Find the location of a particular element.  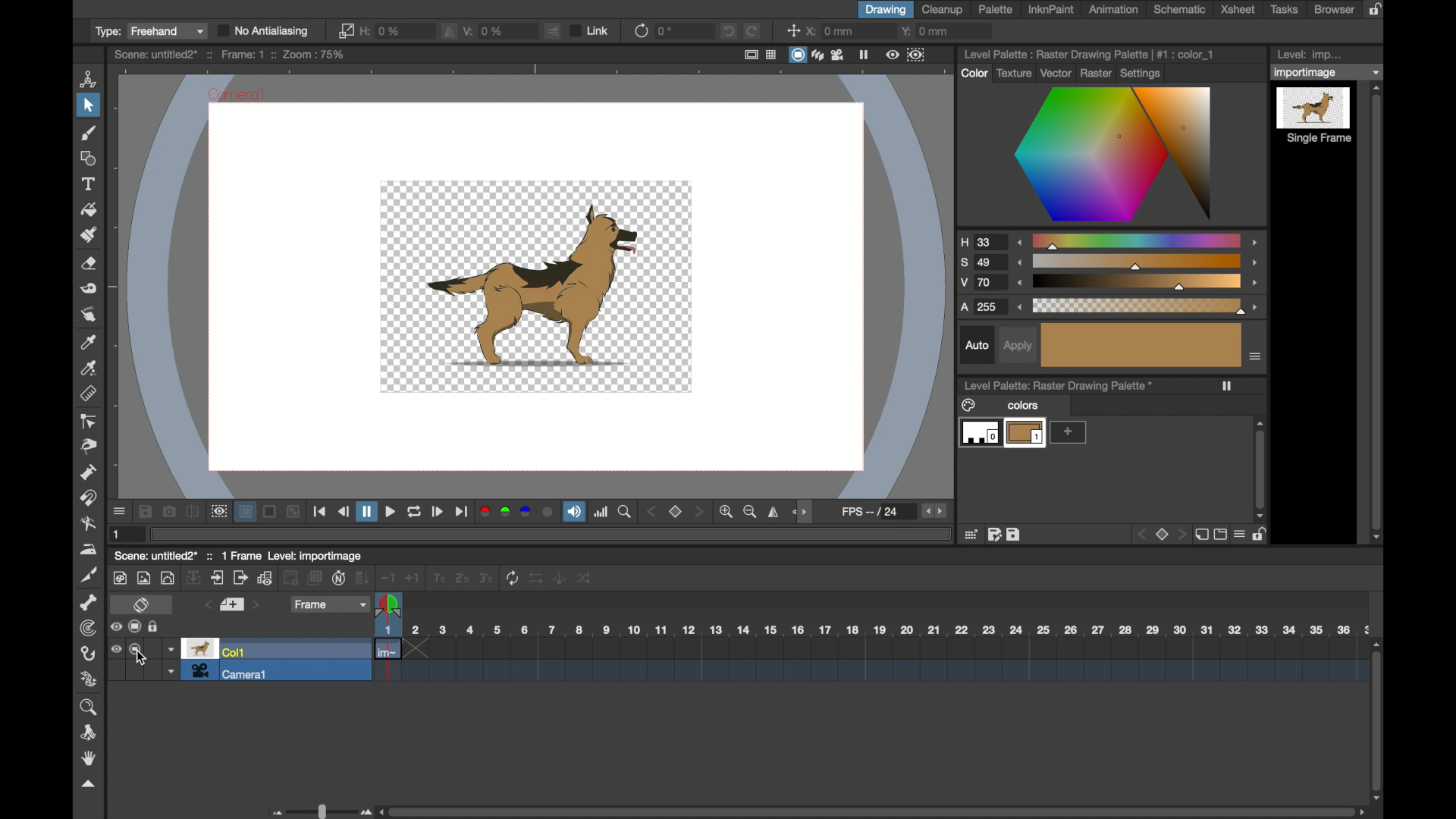

center is located at coordinates (792, 30).